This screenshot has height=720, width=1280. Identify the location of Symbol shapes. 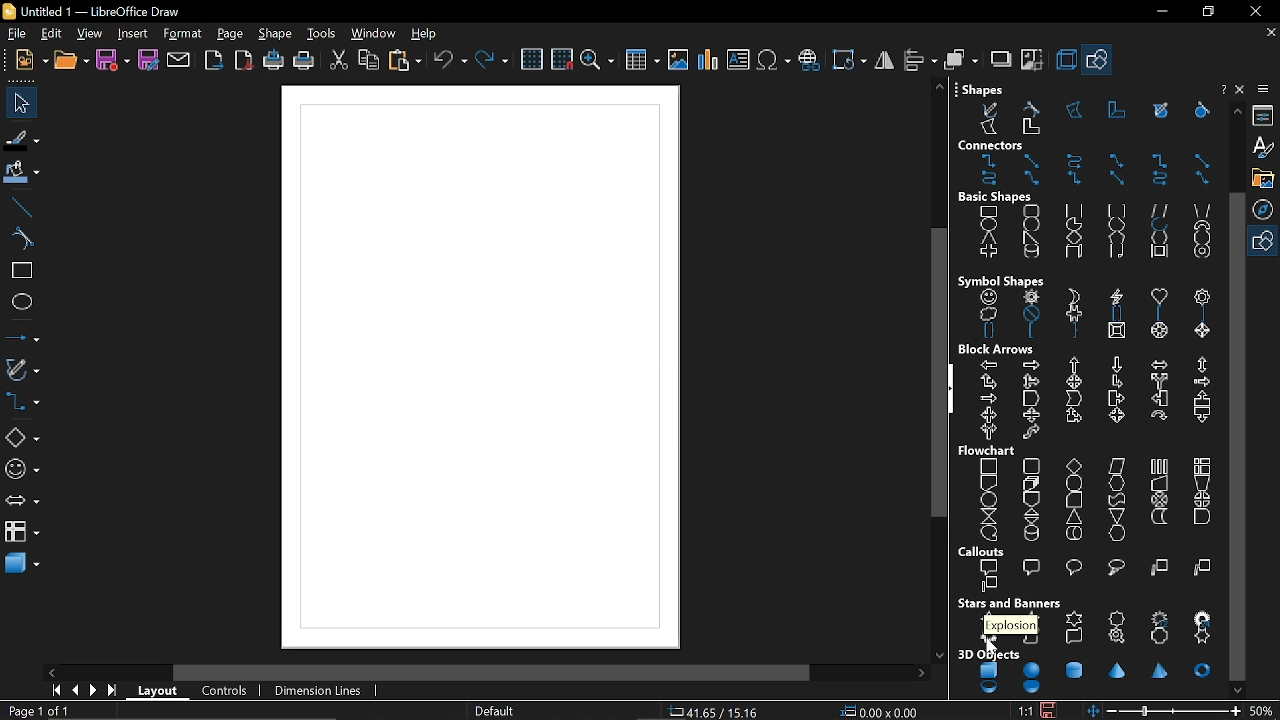
(1084, 305).